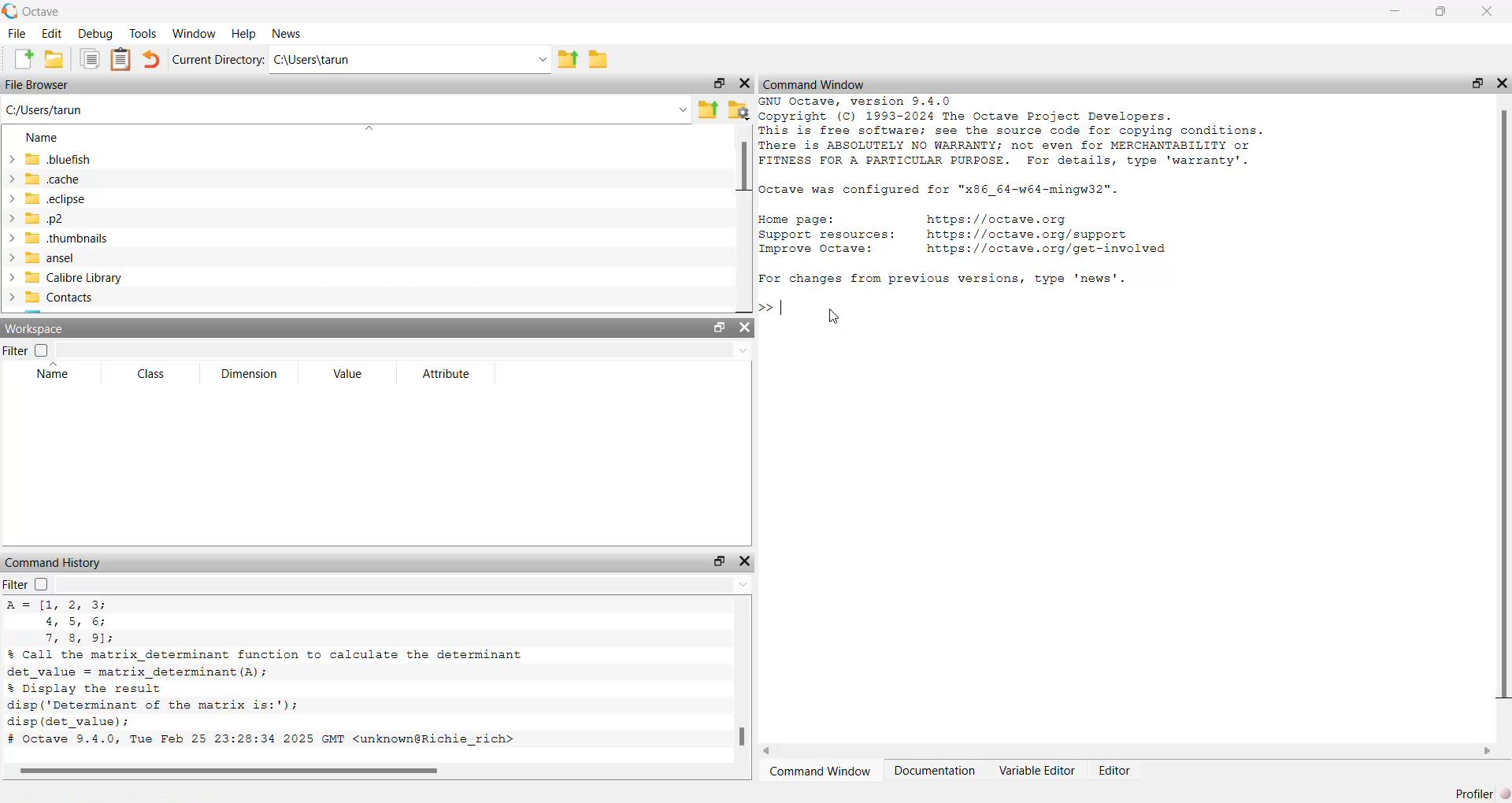 The height and width of the screenshot is (803, 1512). Describe the element at coordinates (721, 83) in the screenshot. I see `maximize` at that location.